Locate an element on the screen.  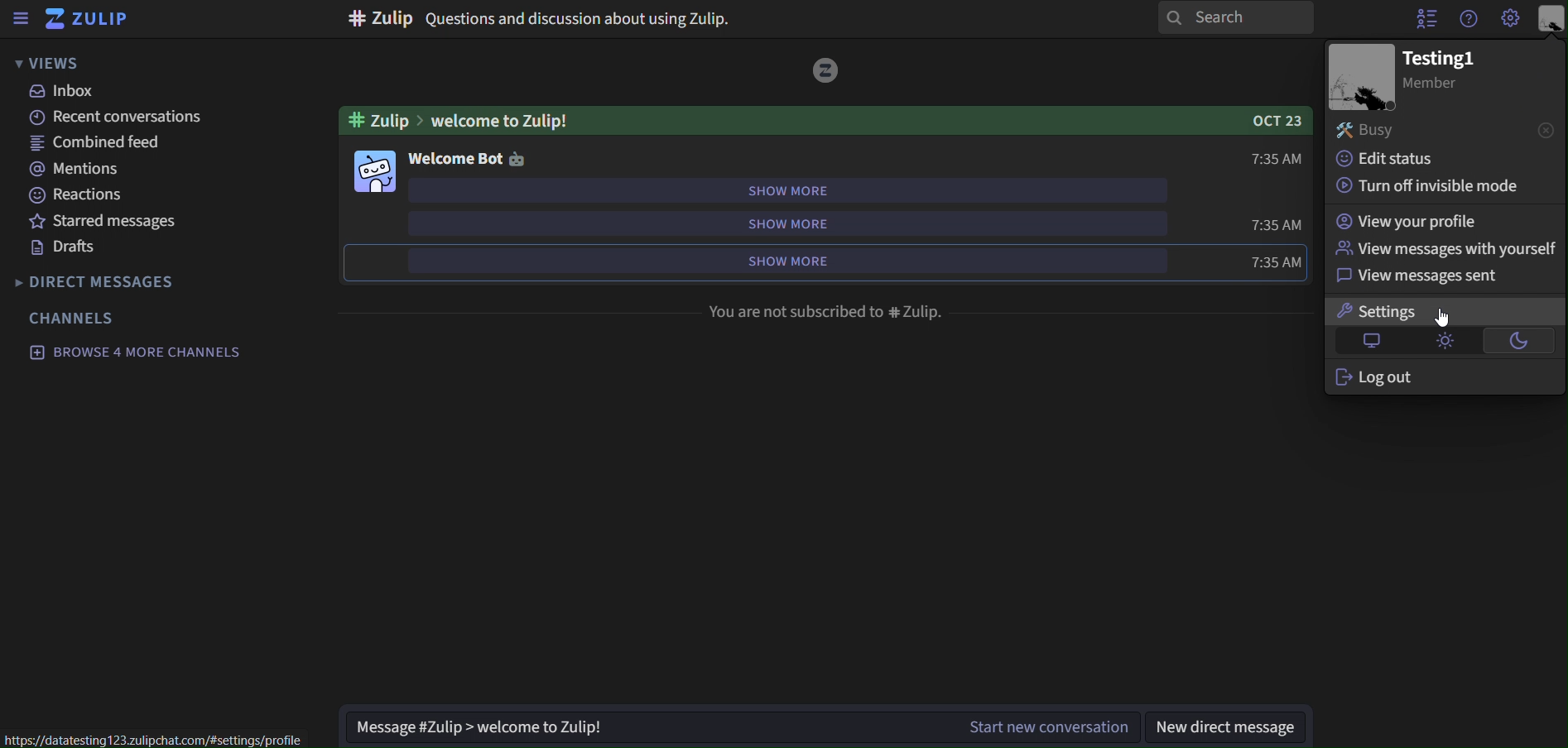
hide user list is located at coordinates (1426, 18).